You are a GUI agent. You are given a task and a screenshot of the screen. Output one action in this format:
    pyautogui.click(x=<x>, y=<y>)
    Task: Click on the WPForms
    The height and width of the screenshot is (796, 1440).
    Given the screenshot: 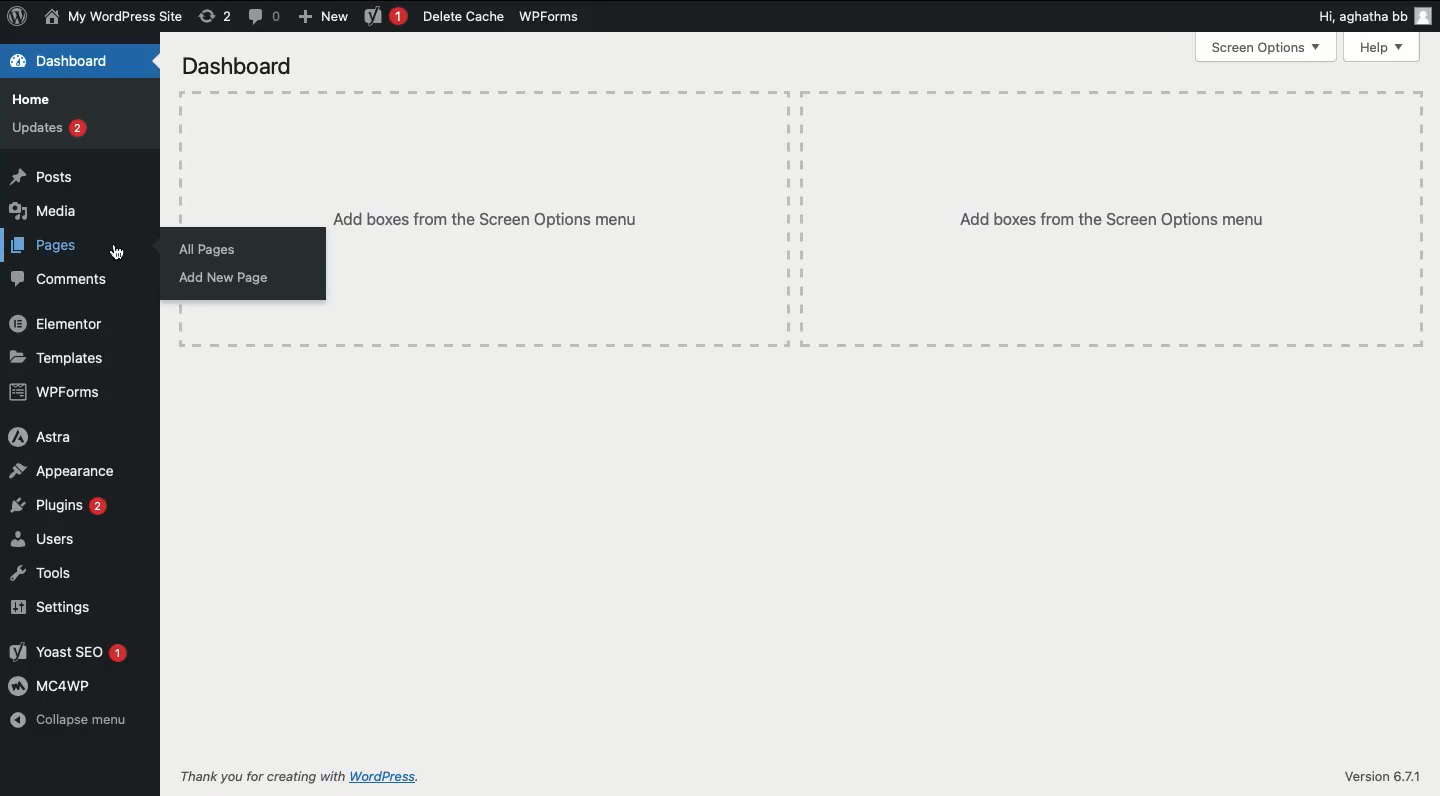 What is the action you would take?
    pyautogui.click(x=549, y=15)
    